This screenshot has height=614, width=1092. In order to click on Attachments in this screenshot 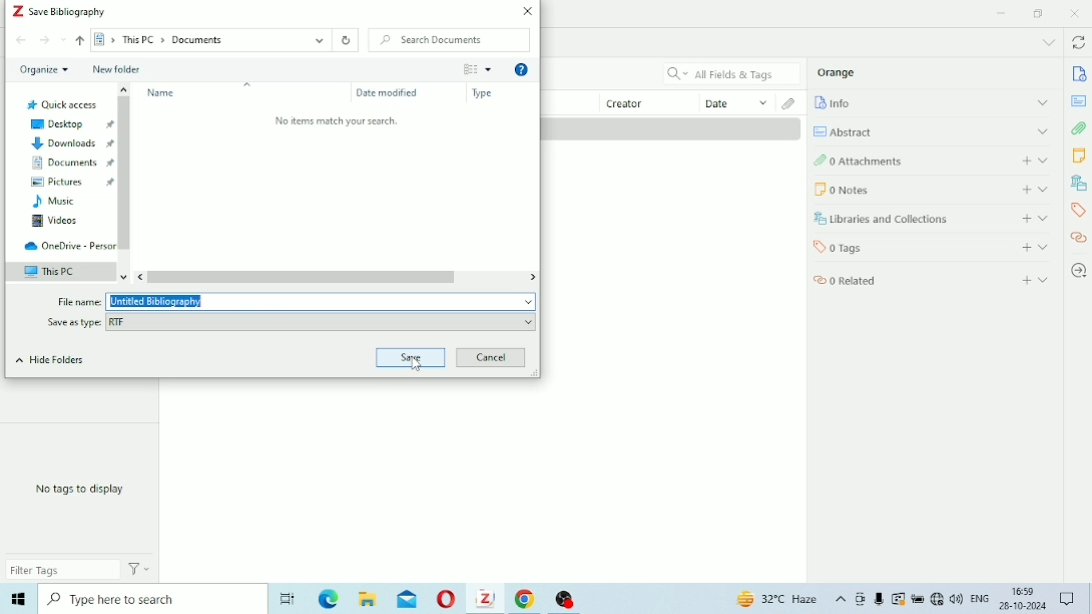, I will do `click(929, 159)`.